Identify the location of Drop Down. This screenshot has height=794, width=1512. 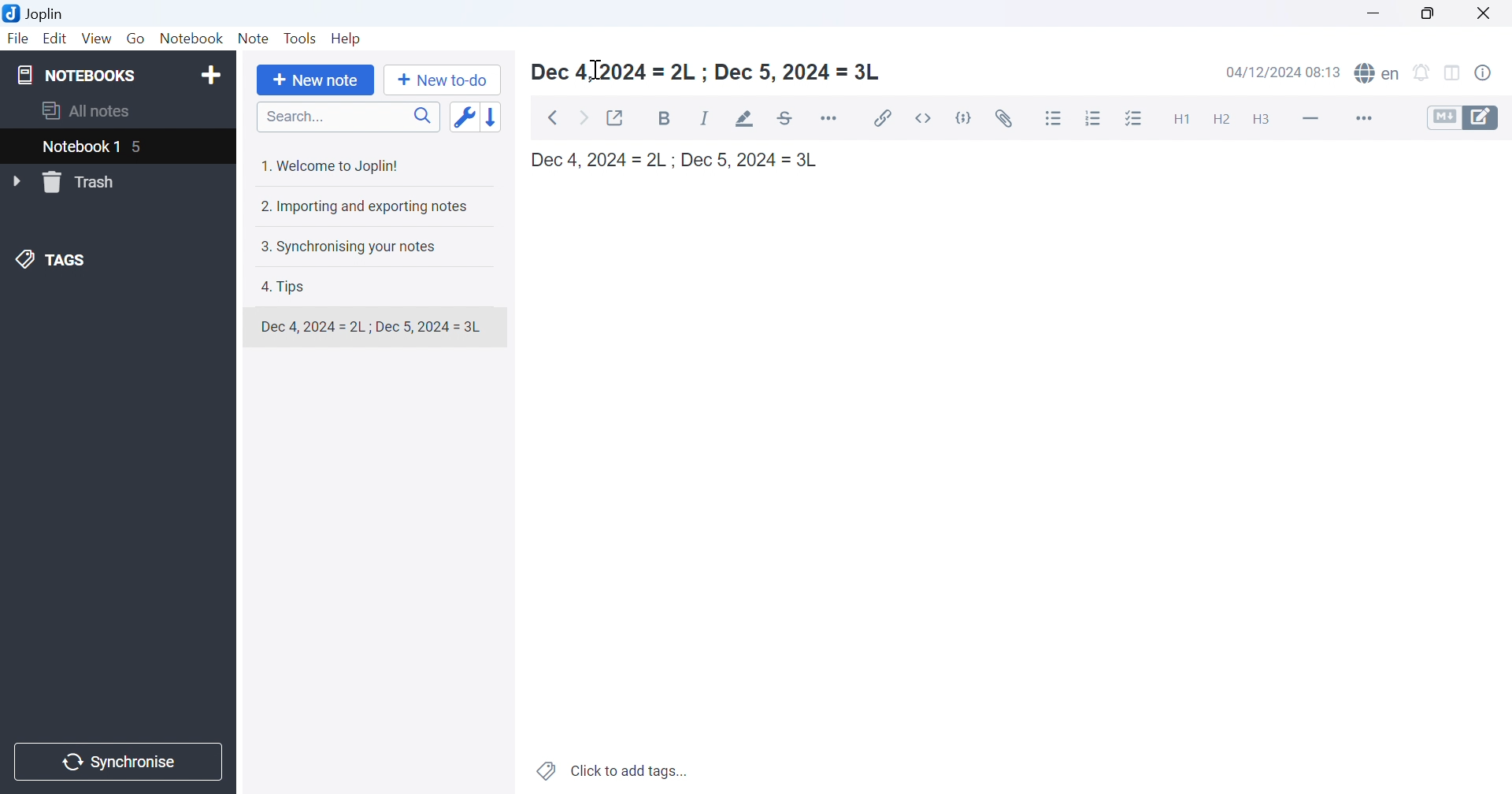
(16, 180).